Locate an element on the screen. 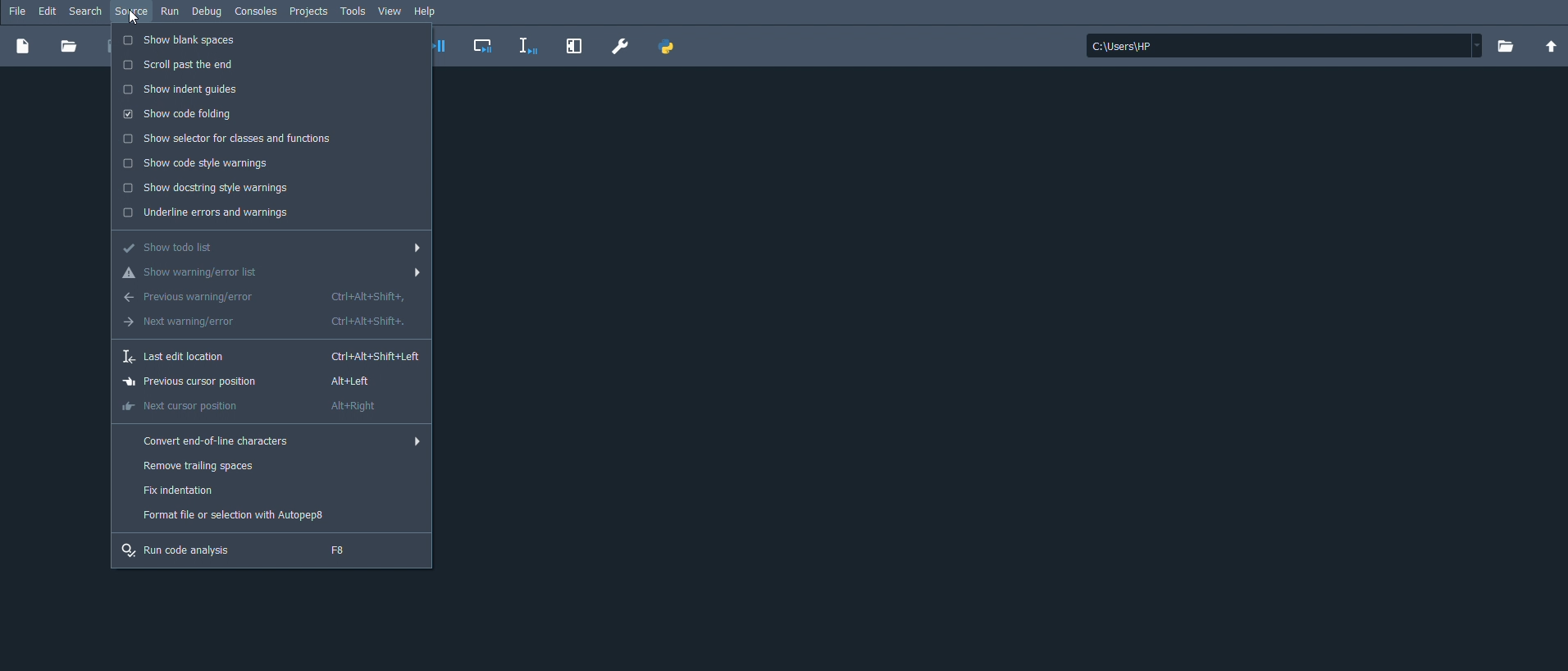  Tools is located at coordinates (354, 10).